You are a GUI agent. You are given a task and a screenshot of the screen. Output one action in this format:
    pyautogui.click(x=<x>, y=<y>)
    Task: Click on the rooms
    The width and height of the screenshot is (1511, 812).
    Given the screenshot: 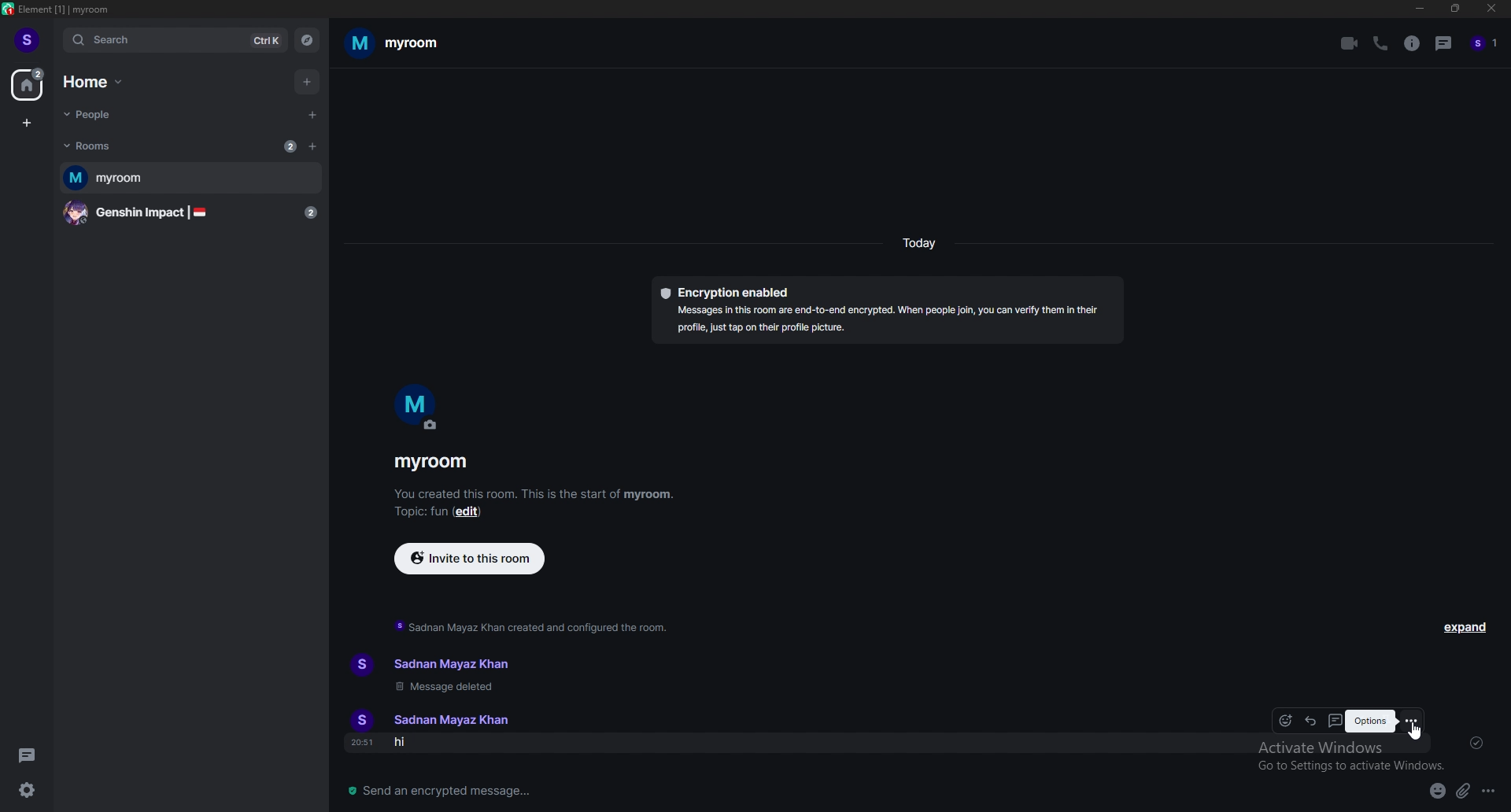 What is the action you would take?
    pyautogui.click(x=97, y=146)
    